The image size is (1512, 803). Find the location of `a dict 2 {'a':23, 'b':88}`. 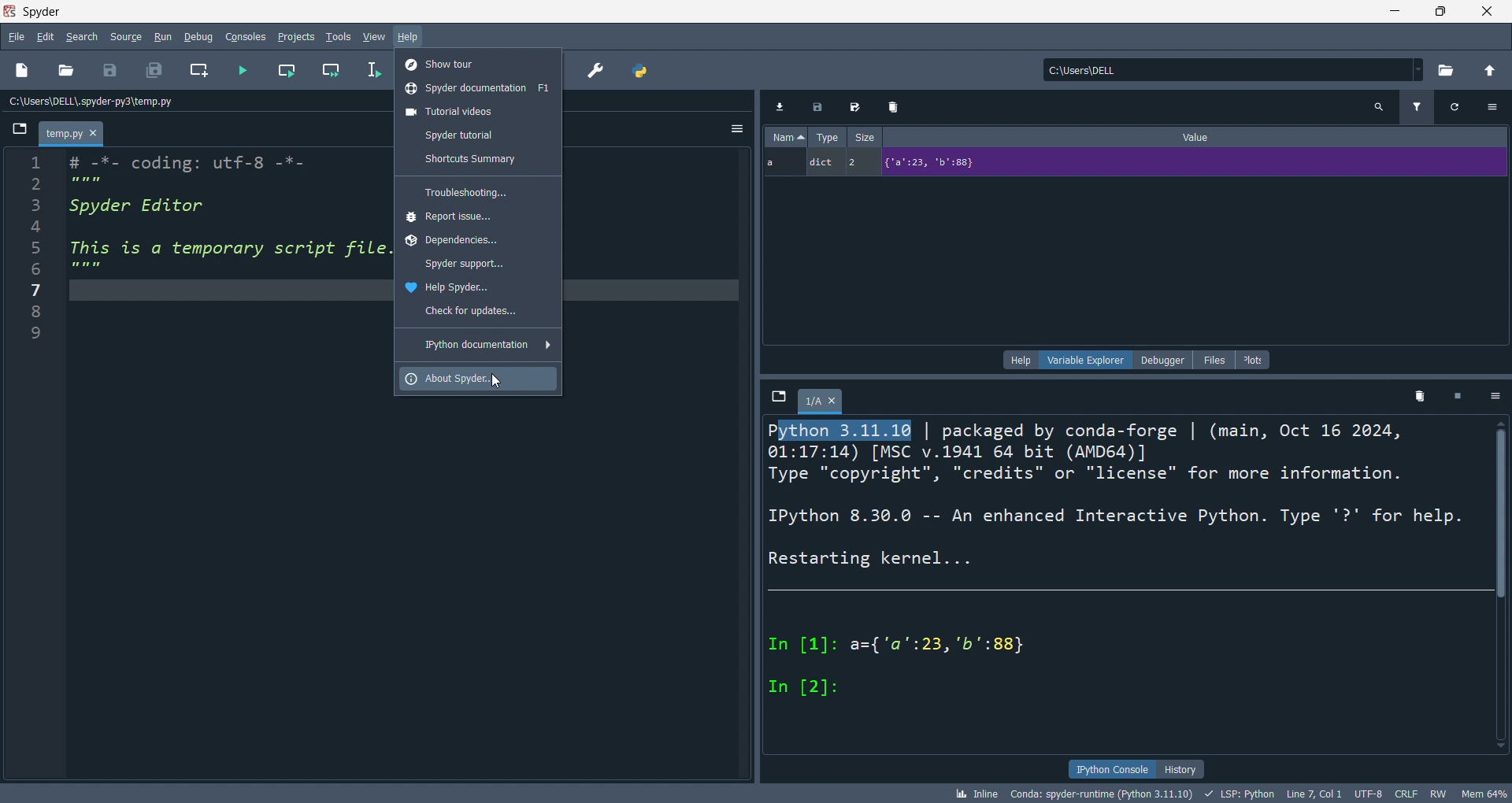

a dict 2 {'a':23, 'b':88} is located at coordinates (1136, 164).